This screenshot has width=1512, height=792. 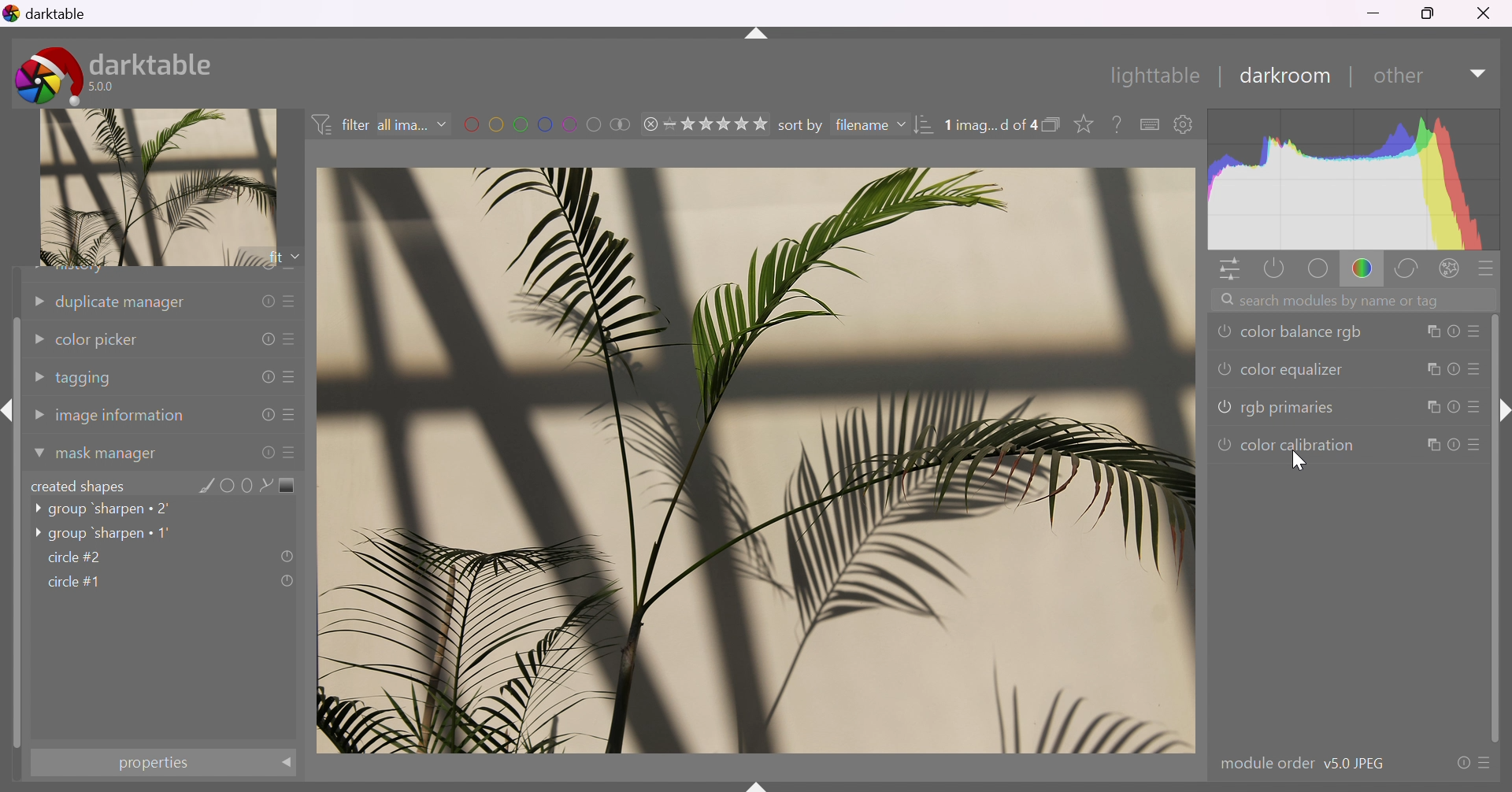 What do you see at coordinates (383, 123) in the screenshot?
I see `filter all images` at bounding box center [383, 123].